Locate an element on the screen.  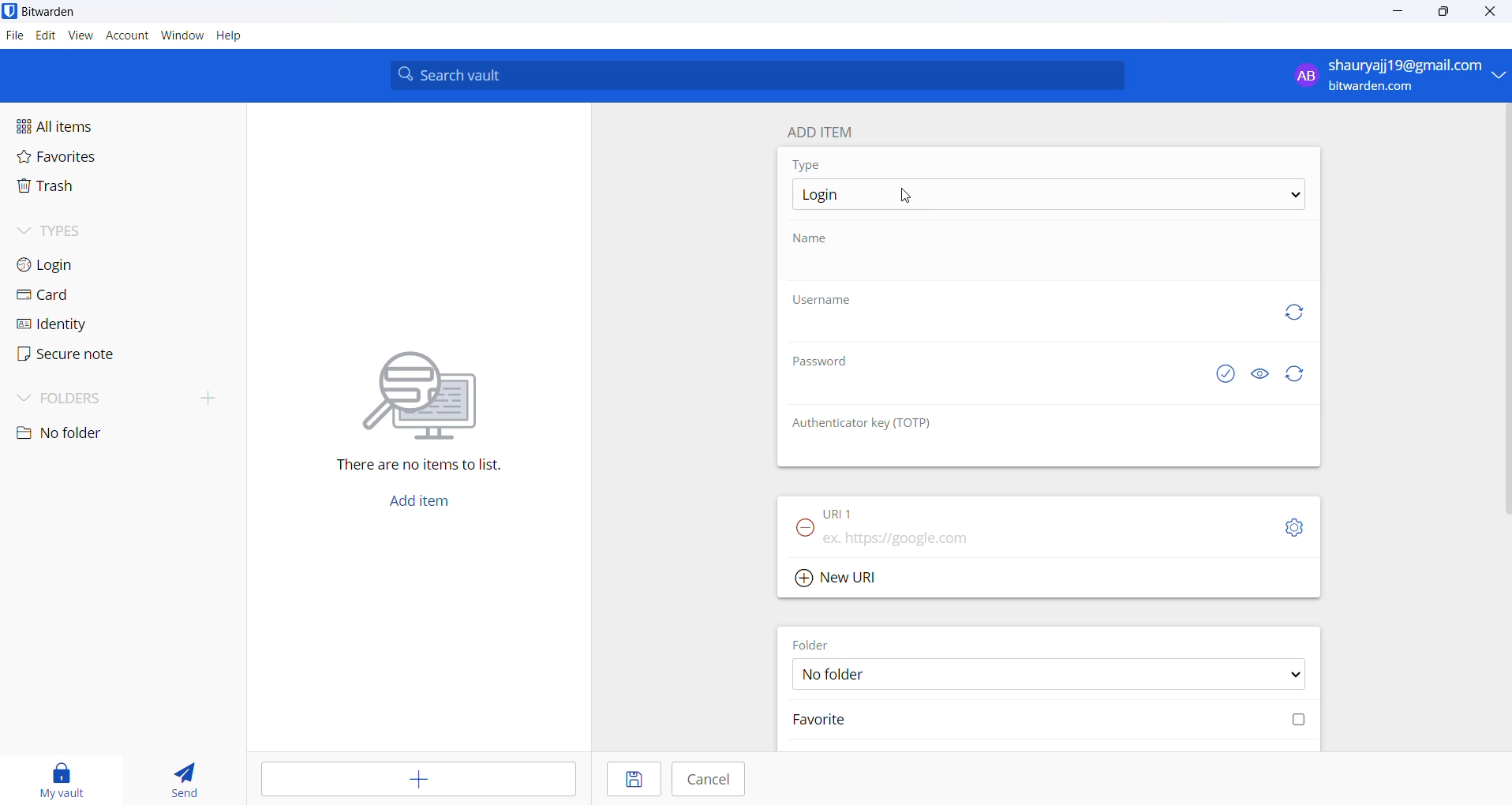
refresh is located at coordinates (1298, 375).